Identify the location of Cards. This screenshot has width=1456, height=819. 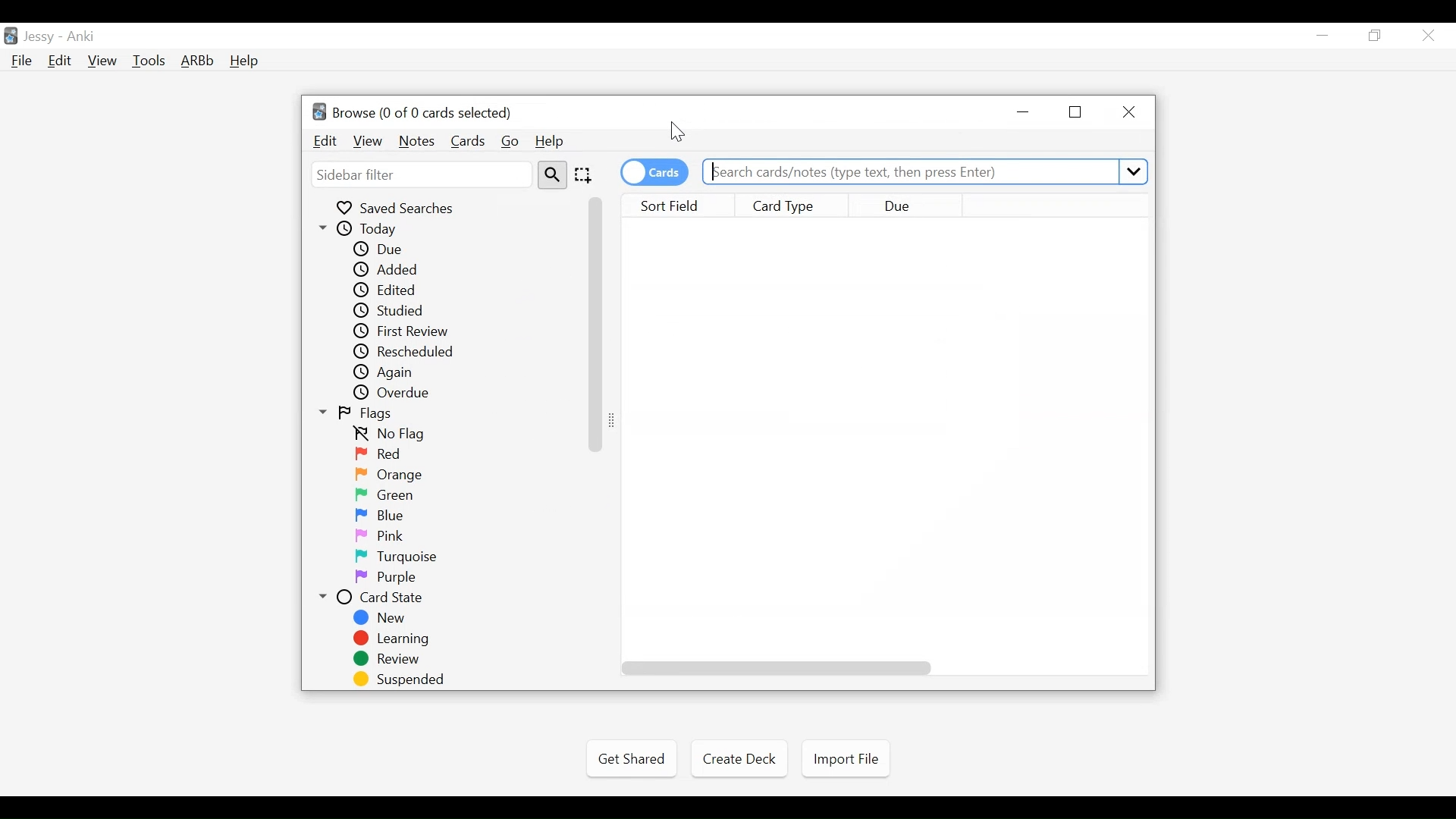
(466, 140).